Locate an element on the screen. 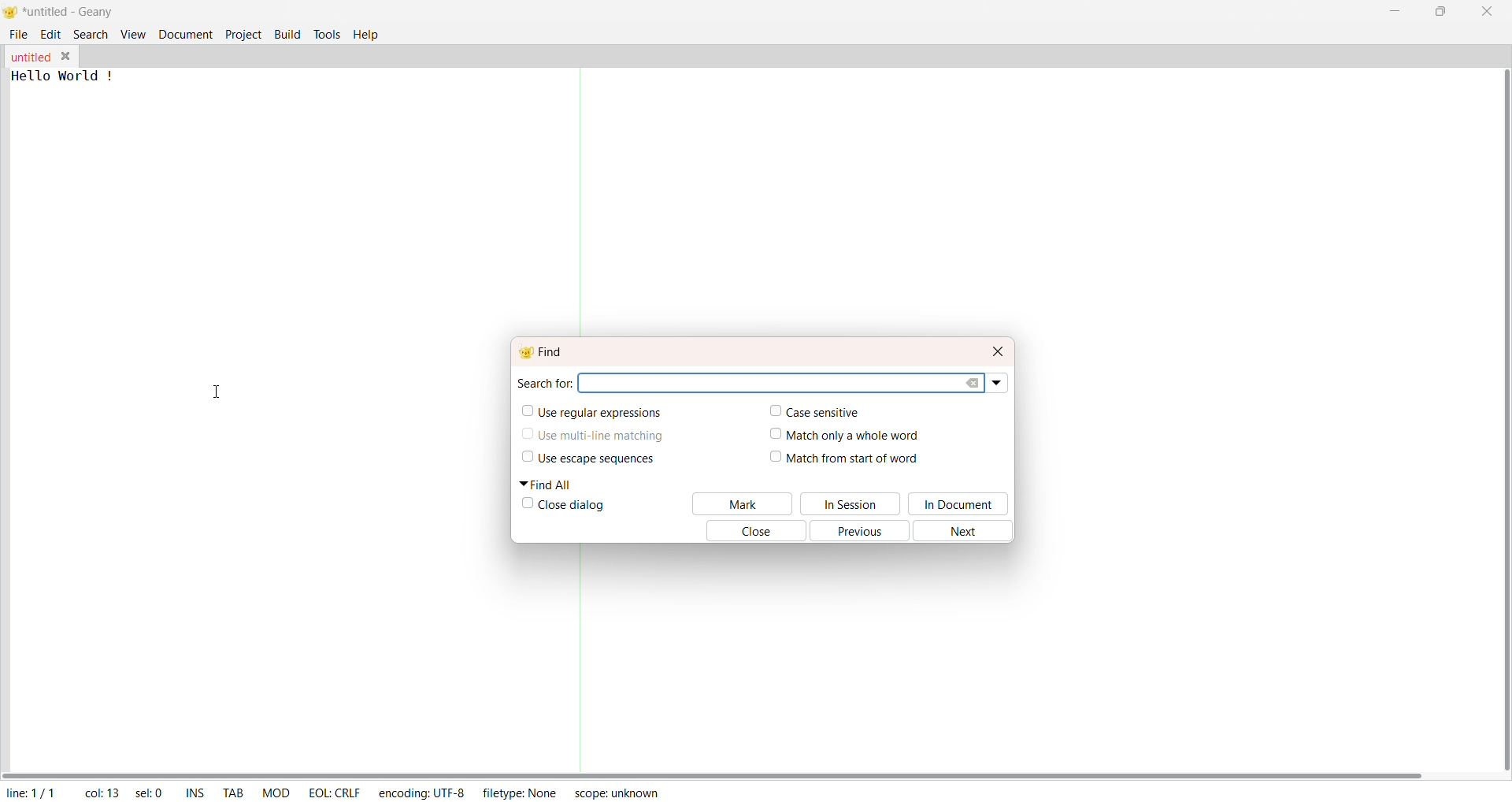 This screenshot has width=1512, height=802. Use regular Expression is located at coordinates (601, 414).